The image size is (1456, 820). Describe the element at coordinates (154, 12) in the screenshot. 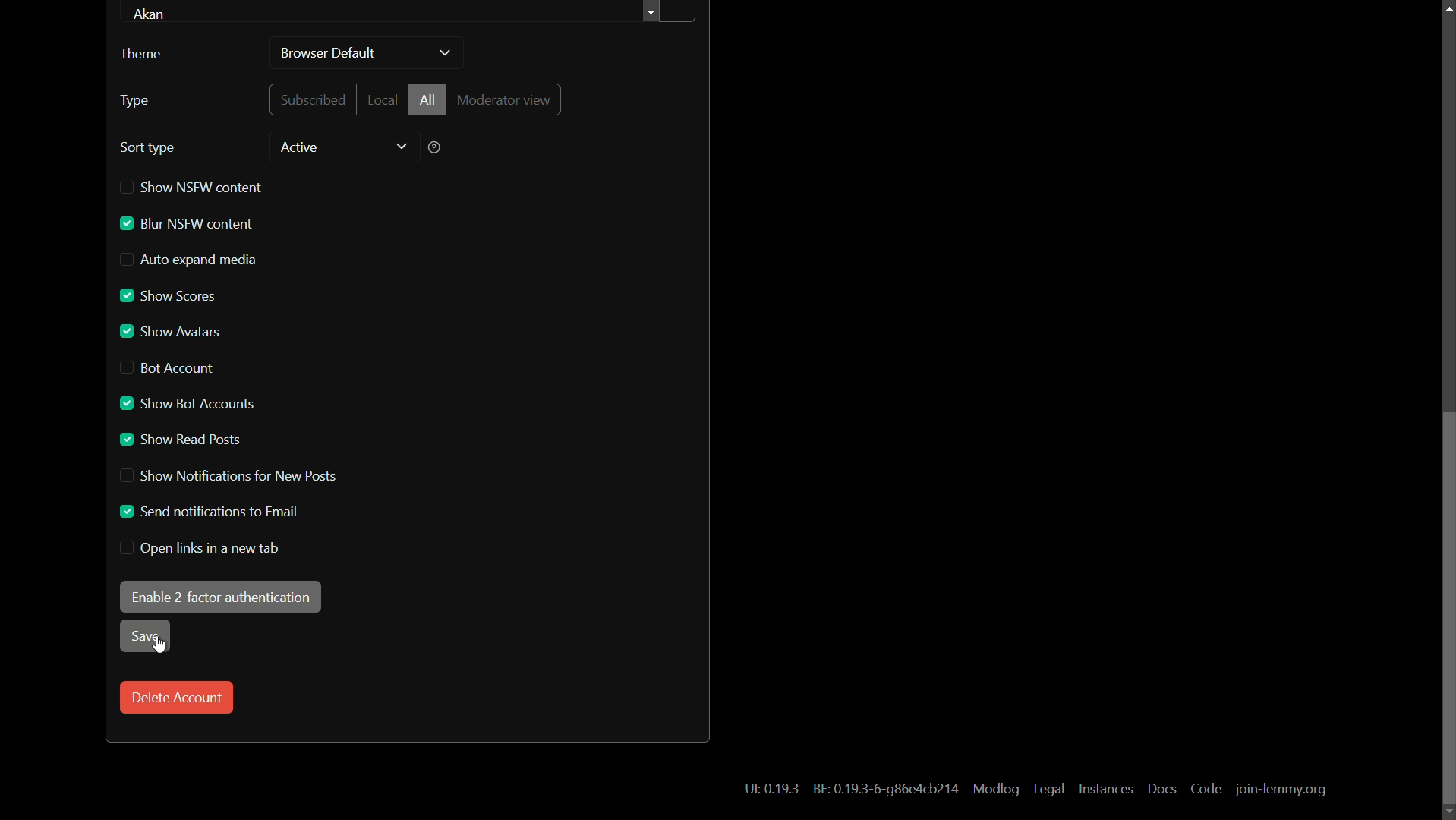

I see `akan` at that location.